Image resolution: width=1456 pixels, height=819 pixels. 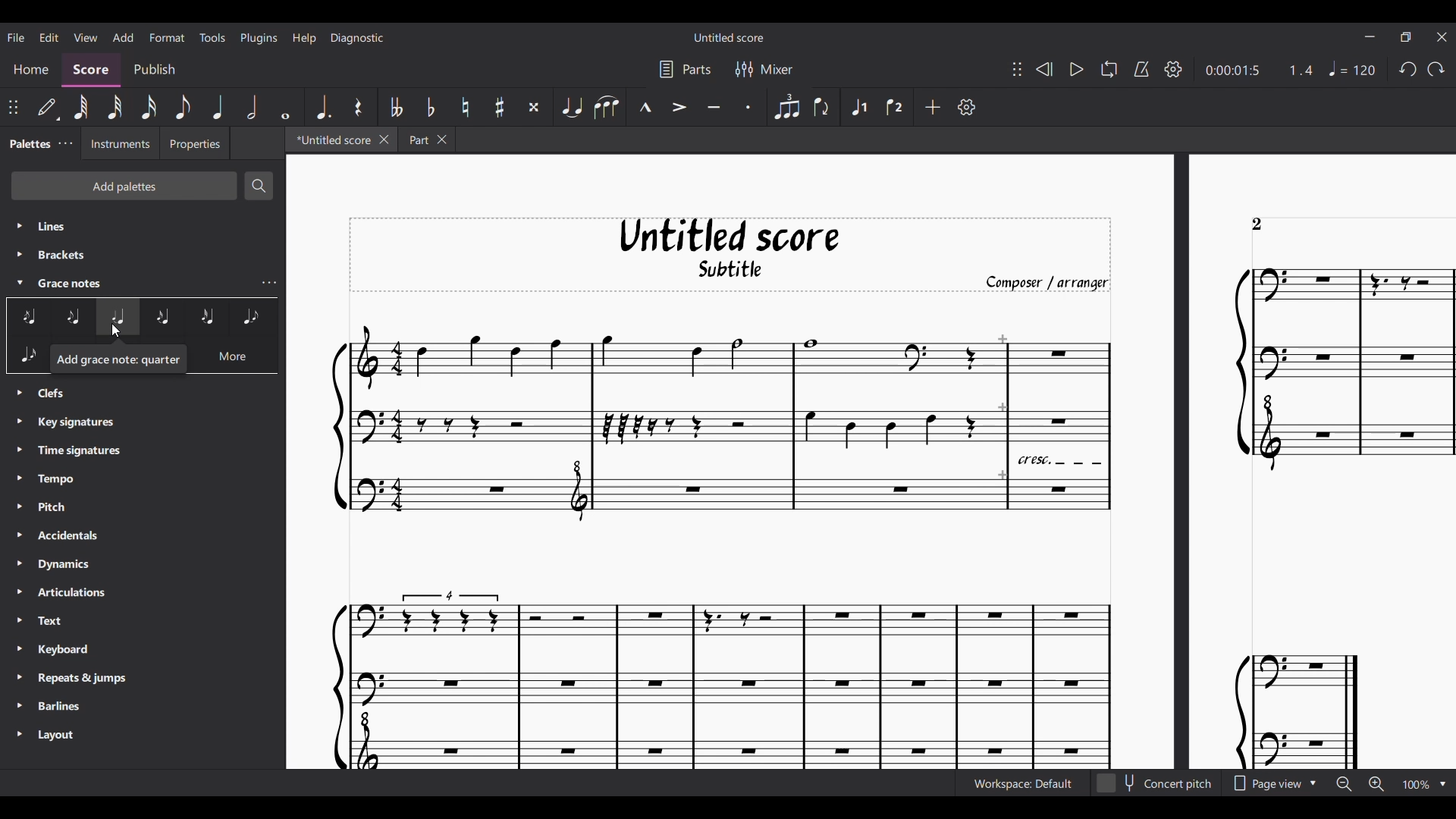 What do you see at coordinates (194, 143) in the screenshot?
I see `Properties tab` at bounding box center [194, 143].